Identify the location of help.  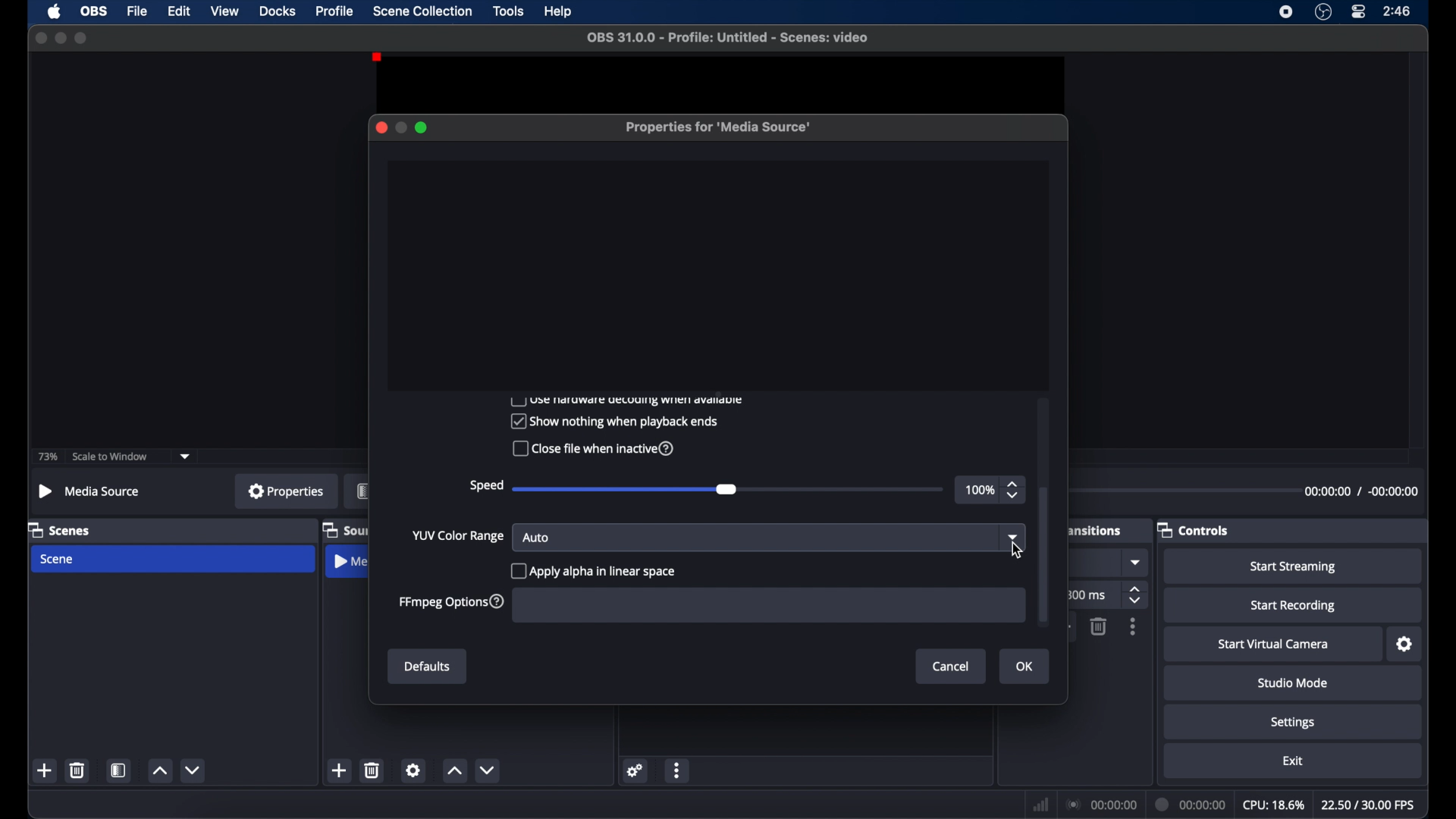
(559, 12).